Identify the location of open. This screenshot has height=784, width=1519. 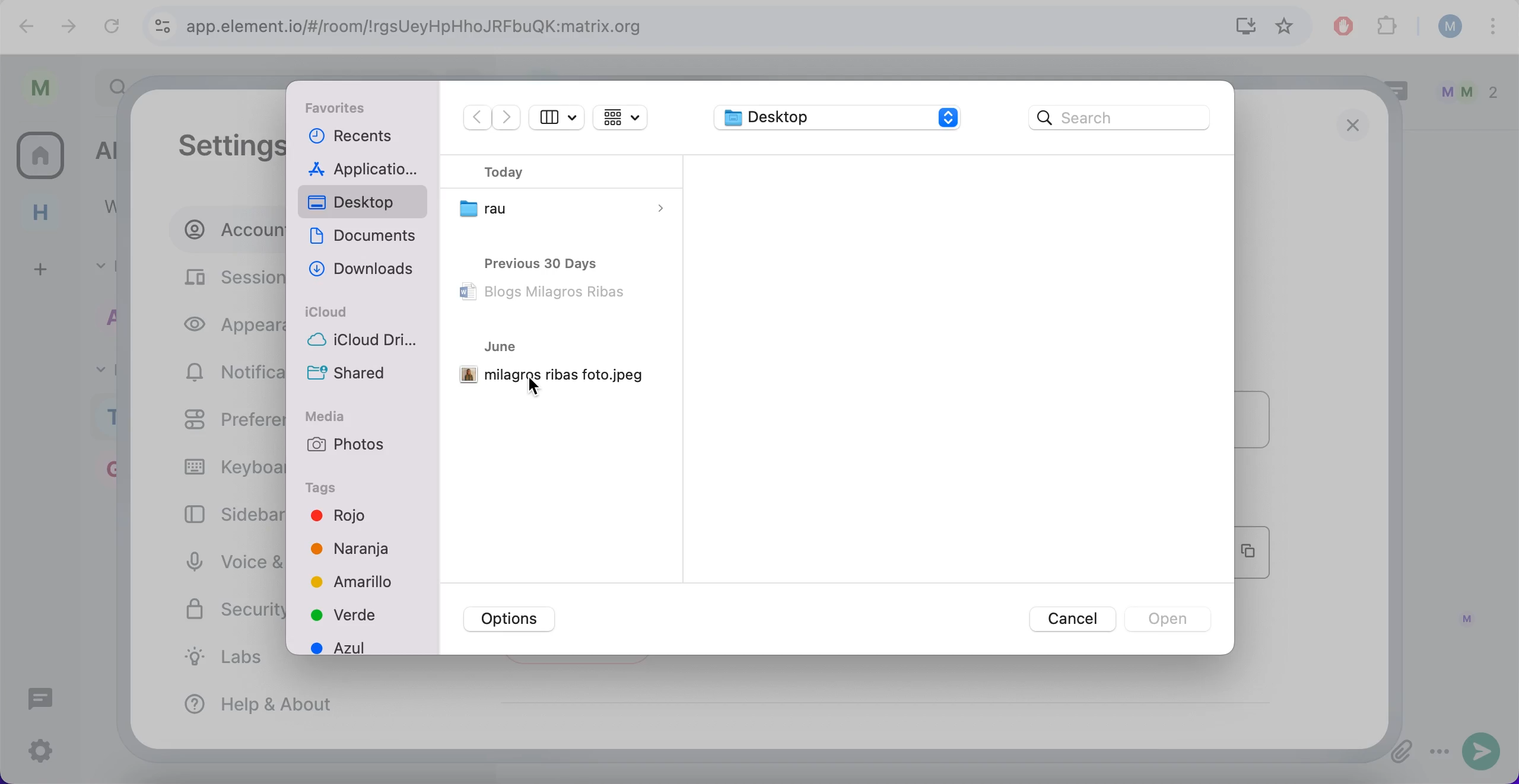
(1170, 618).